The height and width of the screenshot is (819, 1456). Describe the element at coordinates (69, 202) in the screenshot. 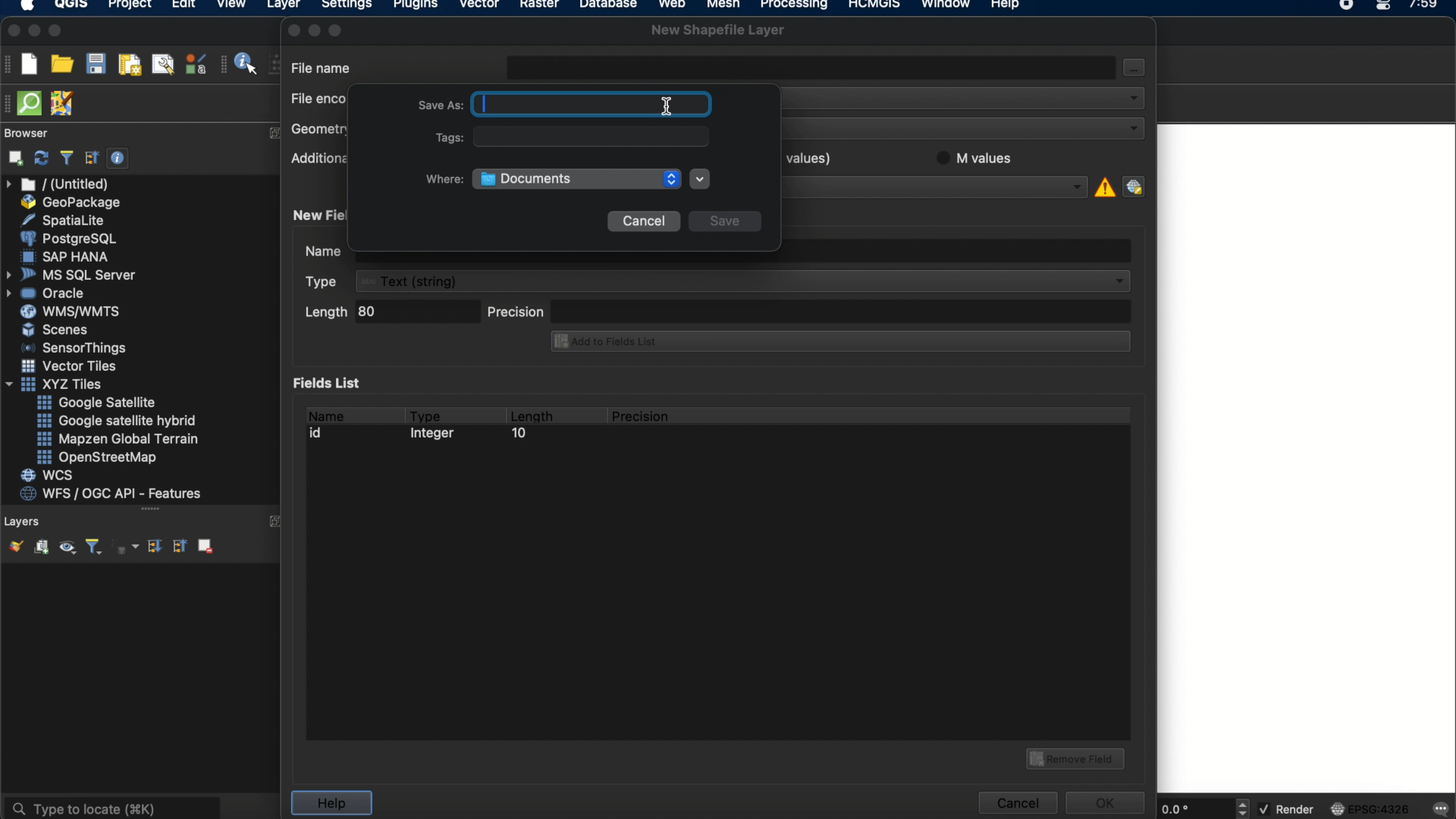

I see `geo package` at that location.